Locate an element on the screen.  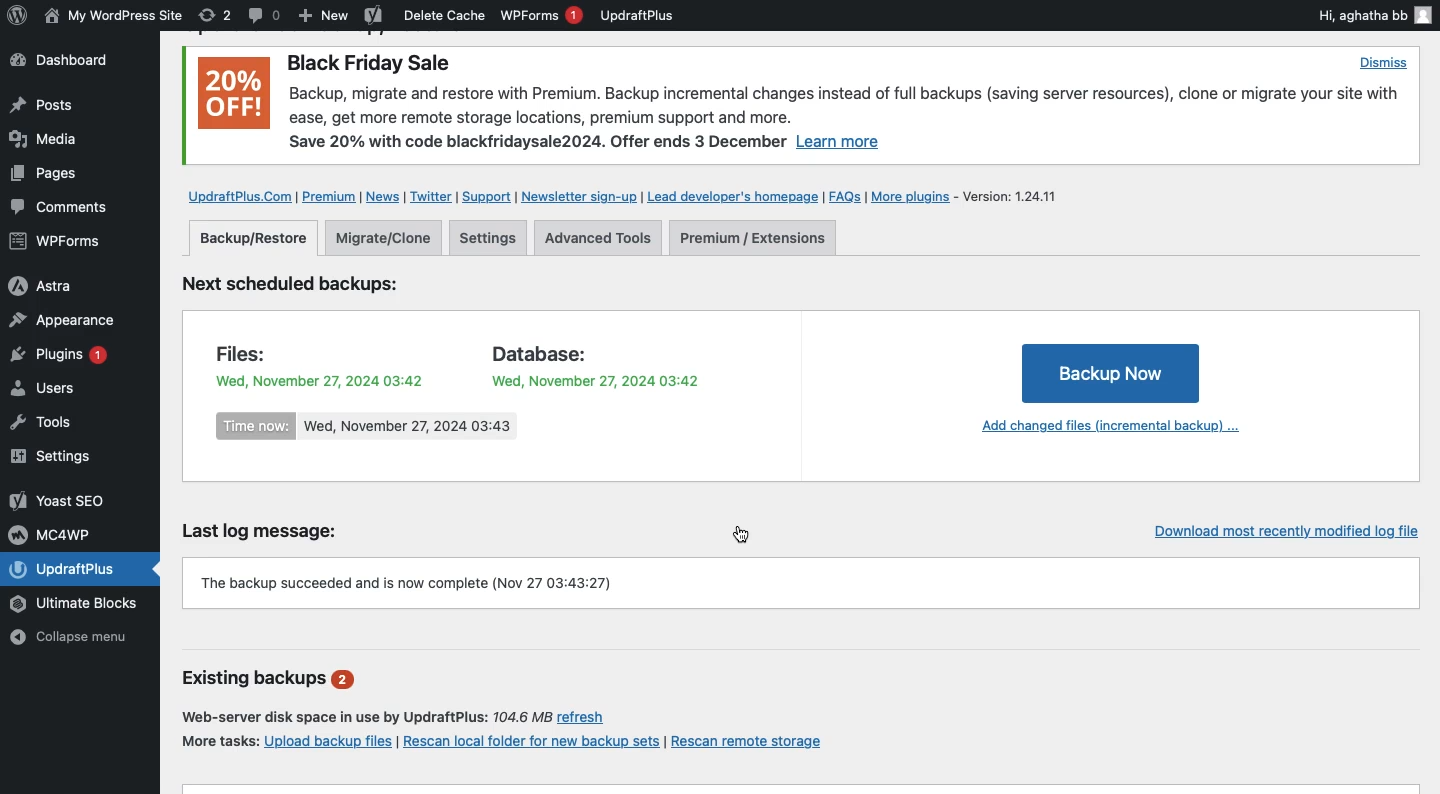
Existing backups 2 is located at coordinates (281, 681).